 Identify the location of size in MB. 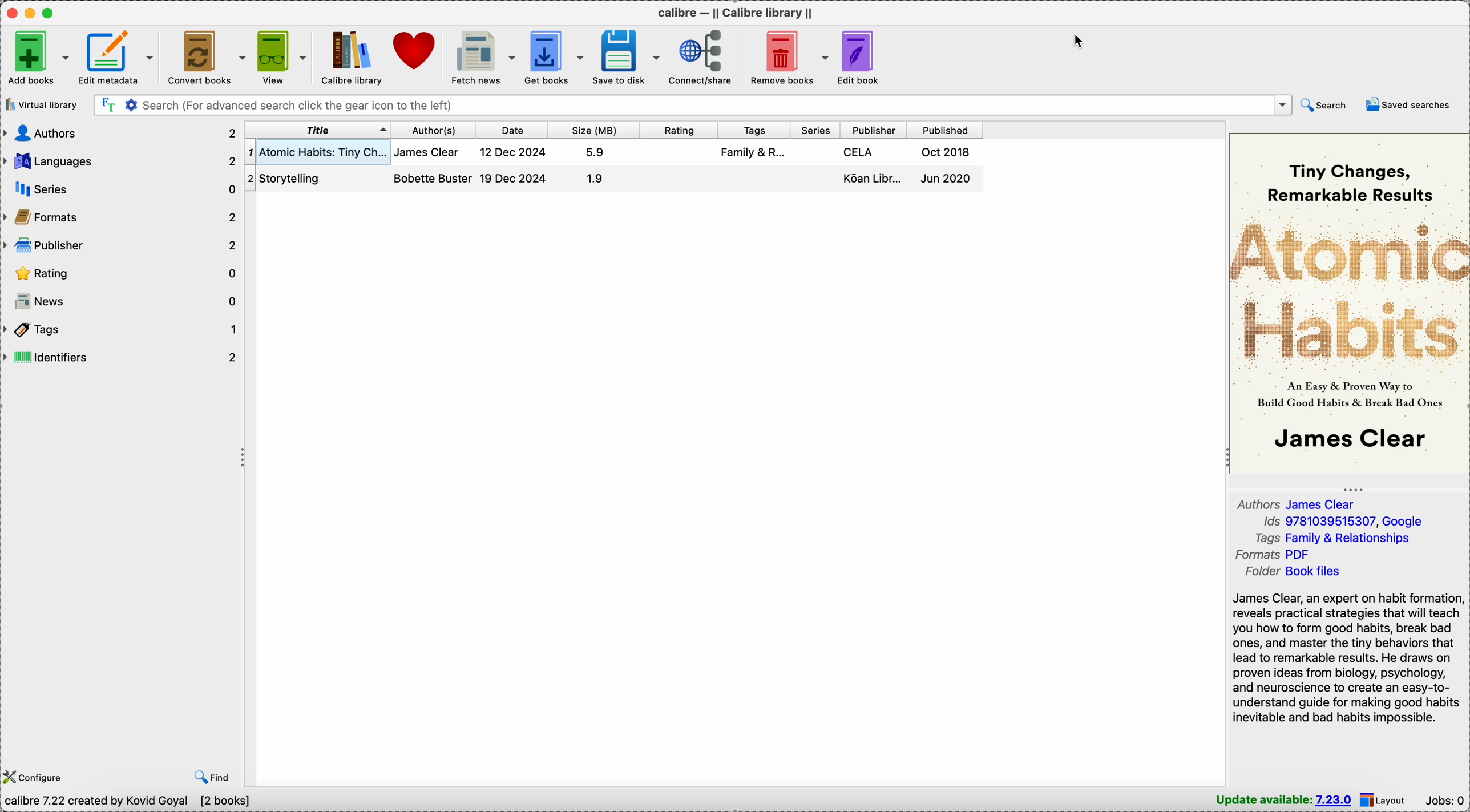
(595, 167).